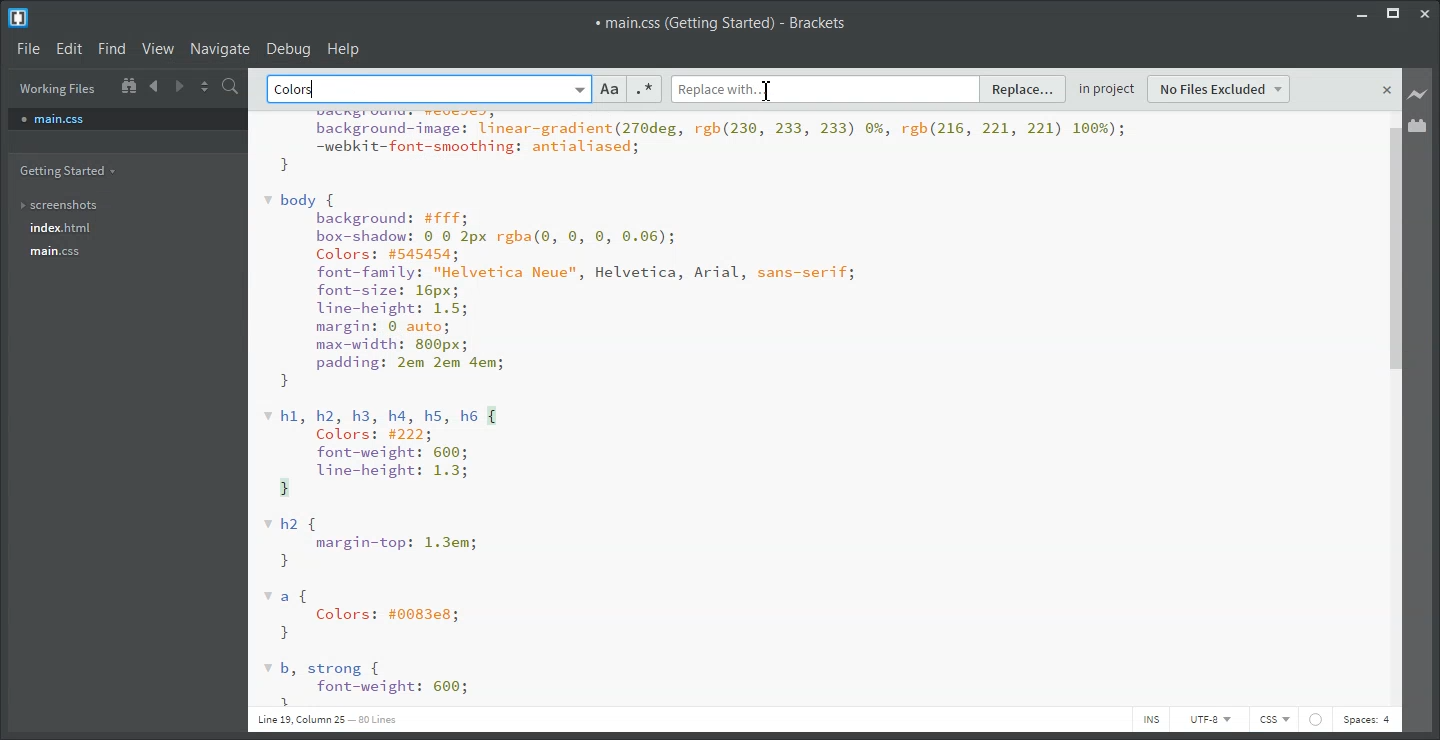  I want to click on dropdown, so click(578, 89).